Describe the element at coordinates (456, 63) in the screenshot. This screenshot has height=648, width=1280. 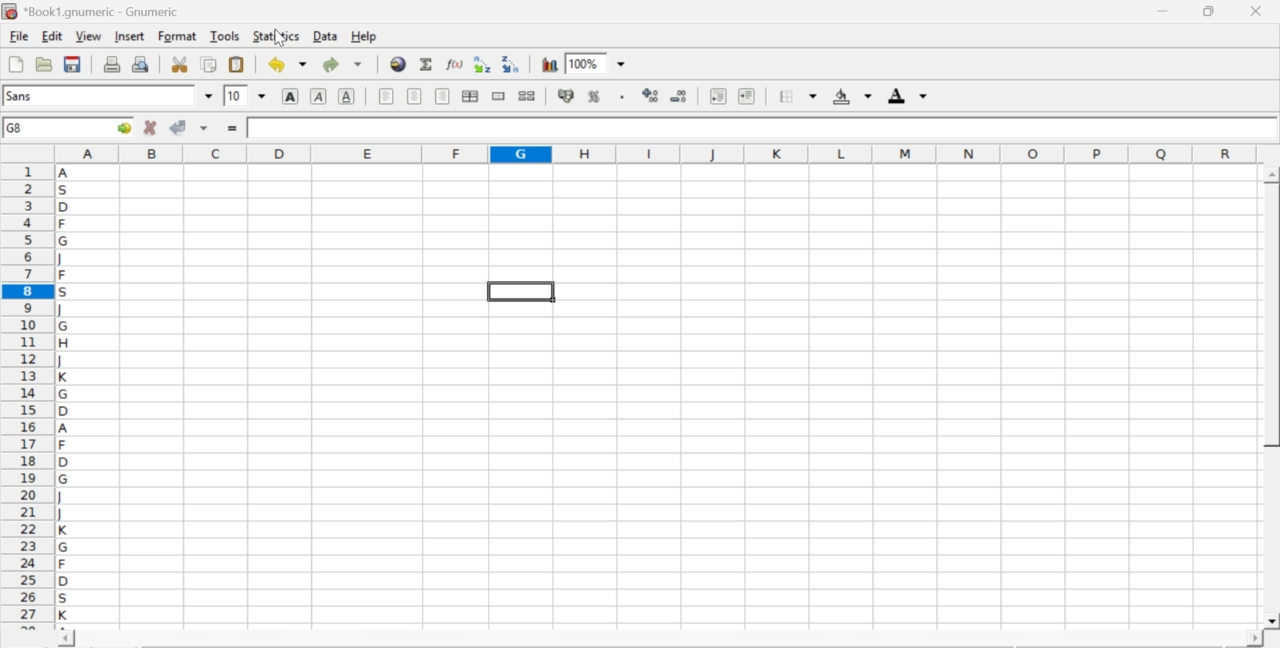
I see `edit function in current cell` at that location.